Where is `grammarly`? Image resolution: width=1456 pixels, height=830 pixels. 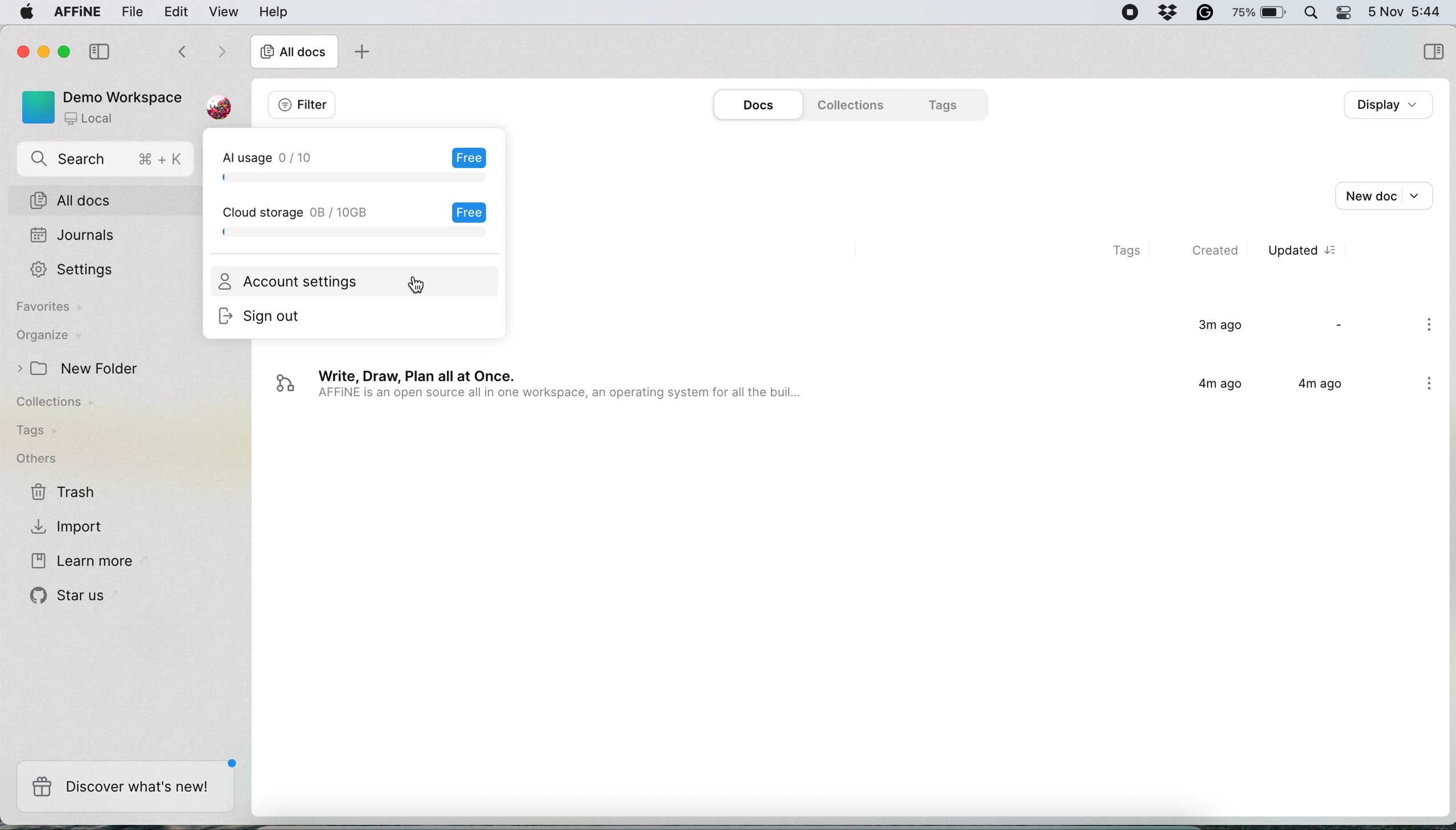 grammarly is located at coordinates (1166, 11).